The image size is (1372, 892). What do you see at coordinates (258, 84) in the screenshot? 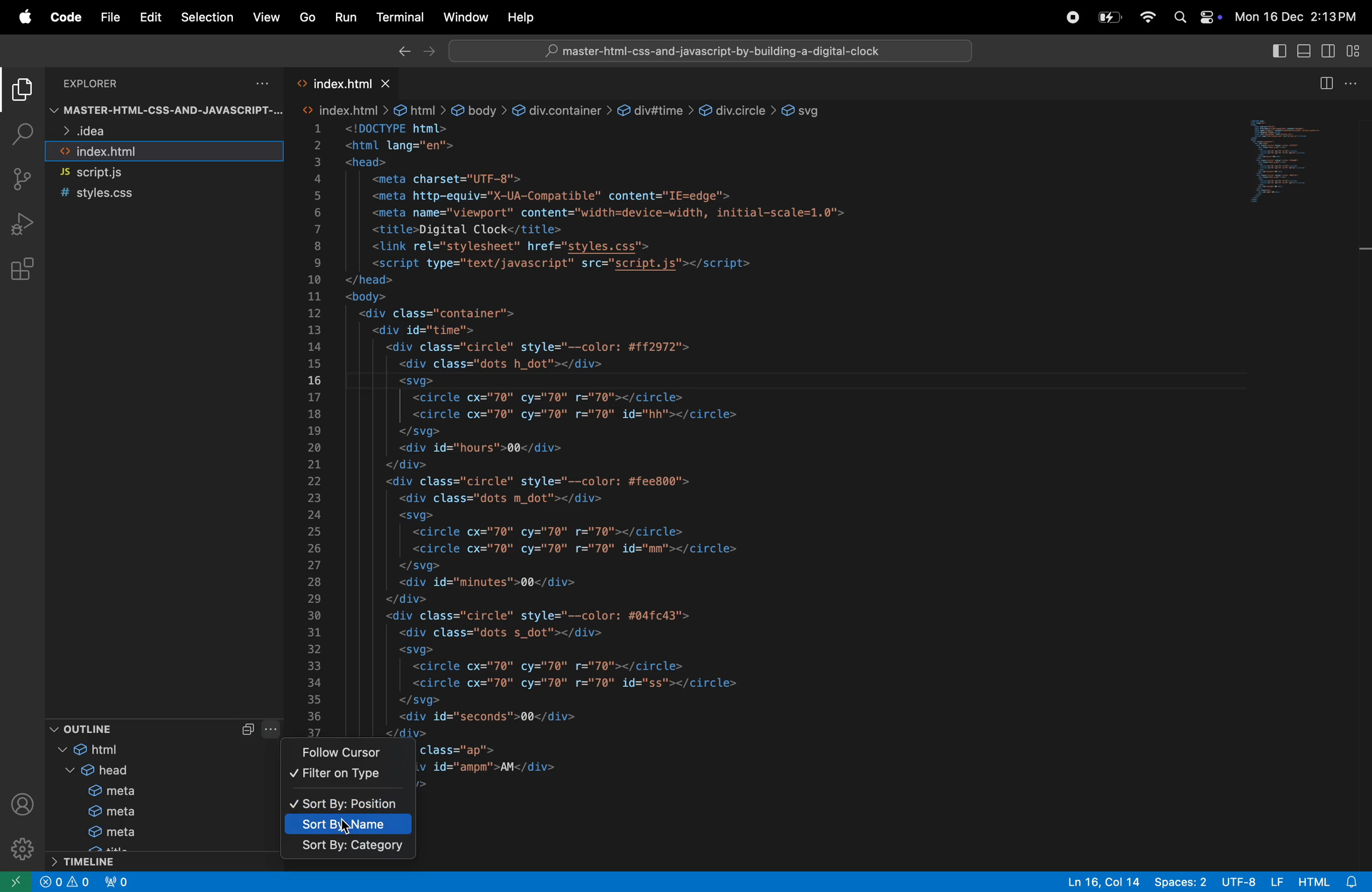
I see `options` at bounding box center [258, 84].